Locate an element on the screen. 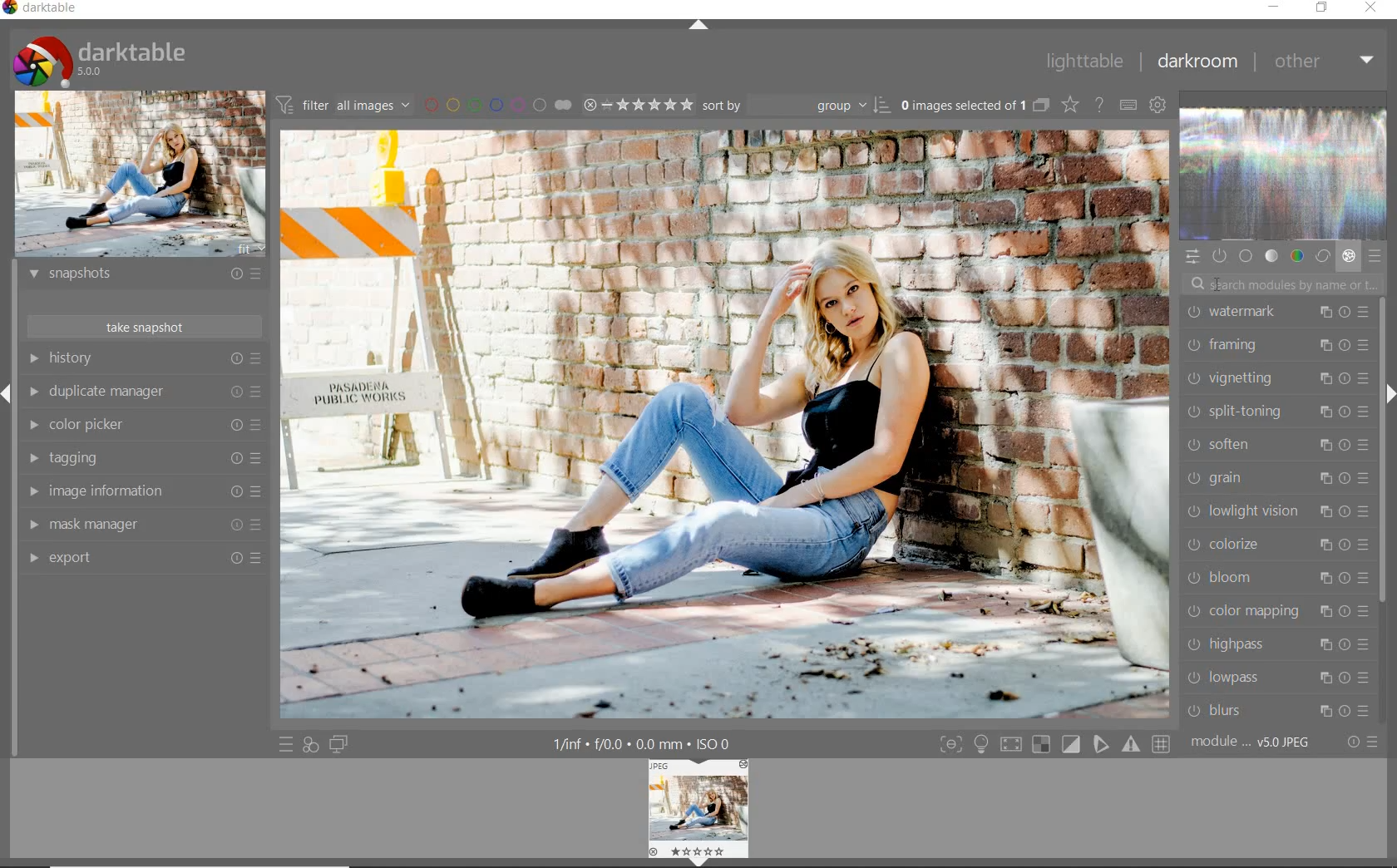 This screenshot has height=868, width=1397. show only active modules is located at coordinates (1221, 257).